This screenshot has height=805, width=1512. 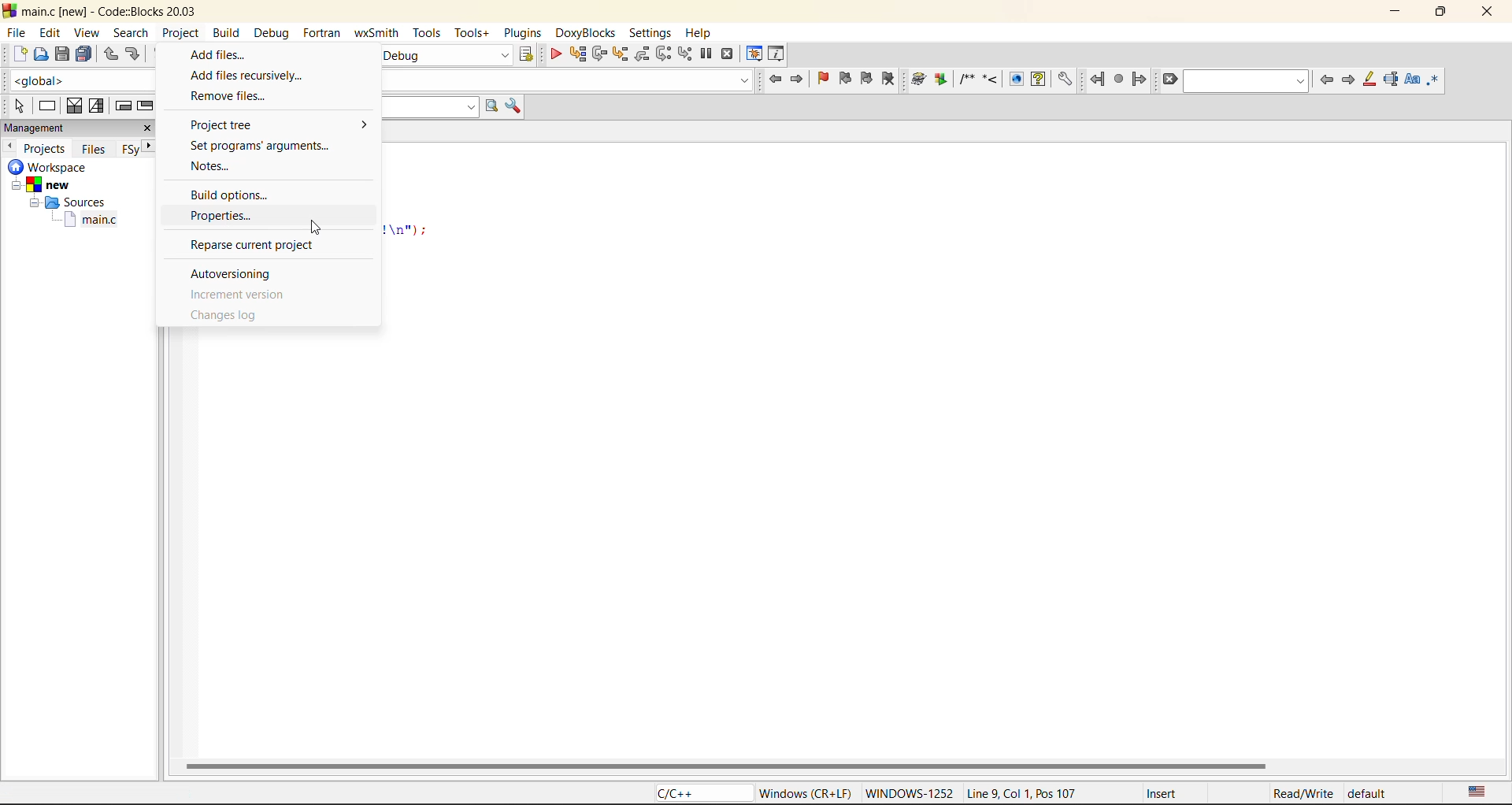 What do you see at coordinates (846, 79) in the screenshot?
I see `previous bookmark` at bounding box center [846, 79].